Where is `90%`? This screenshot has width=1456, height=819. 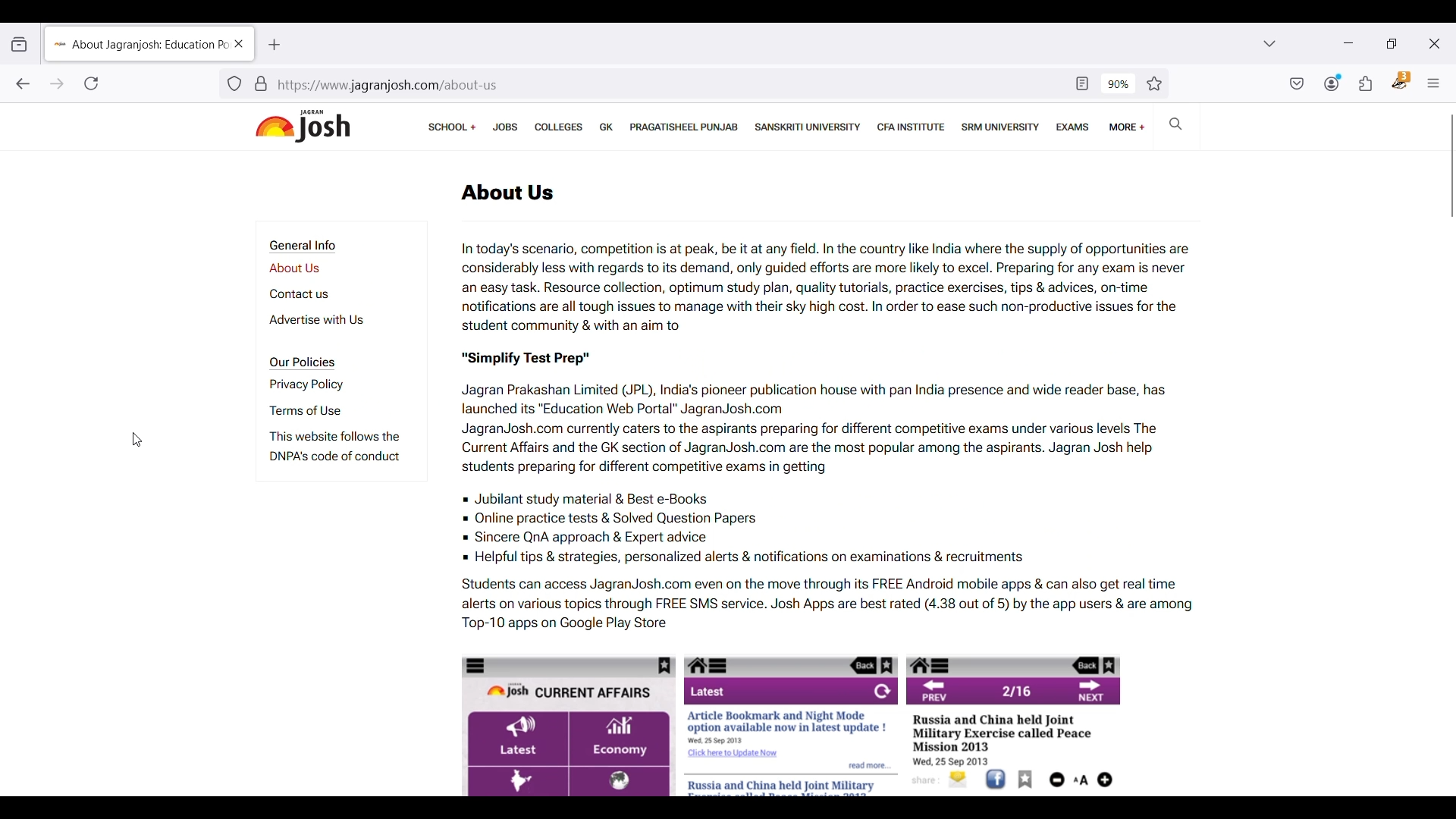 90% is located at coordinates (1119, 84).